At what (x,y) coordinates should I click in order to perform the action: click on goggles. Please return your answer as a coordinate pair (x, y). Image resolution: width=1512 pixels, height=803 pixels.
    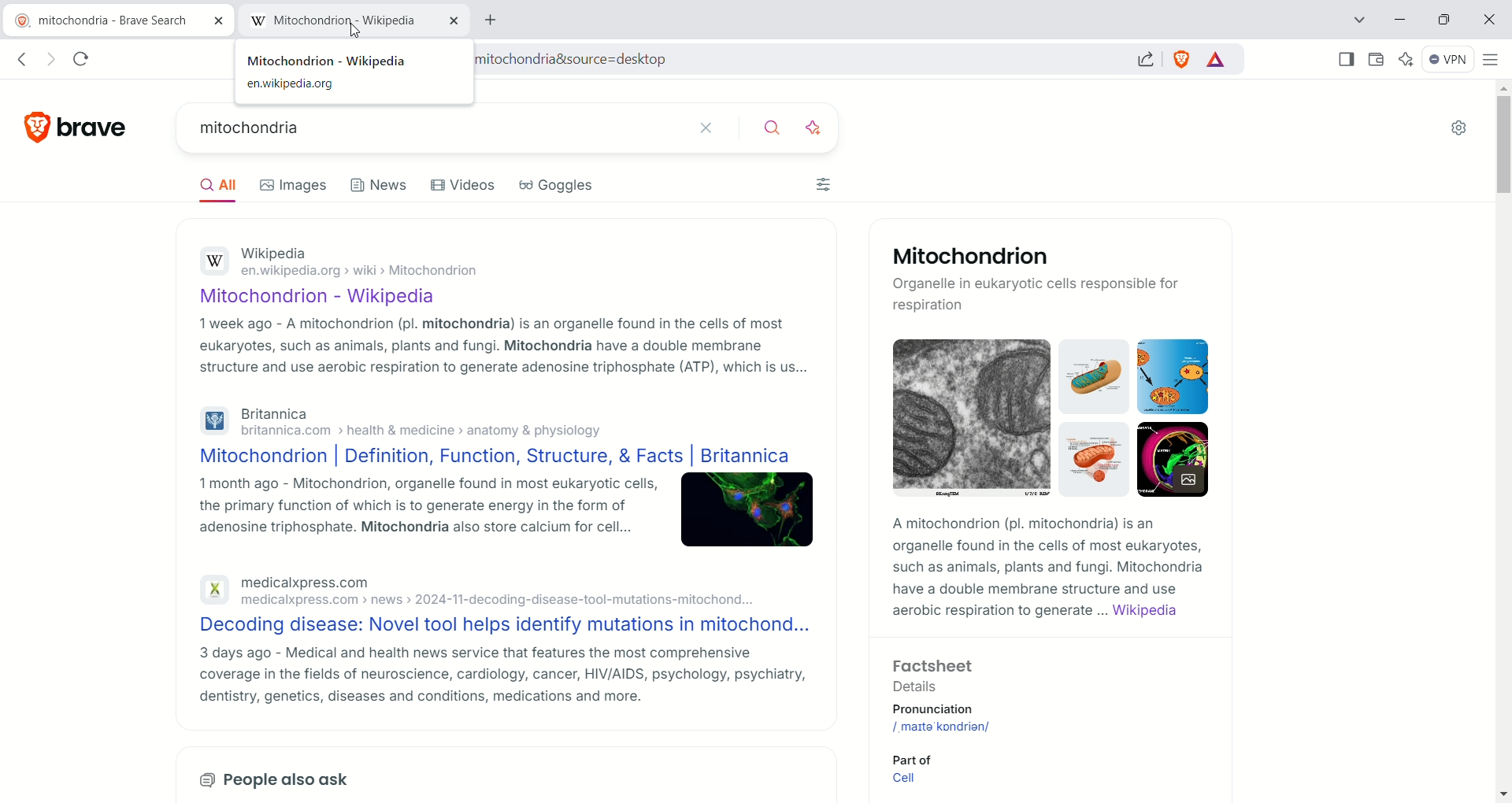
    Looking at the image, I should click on (557, 190).